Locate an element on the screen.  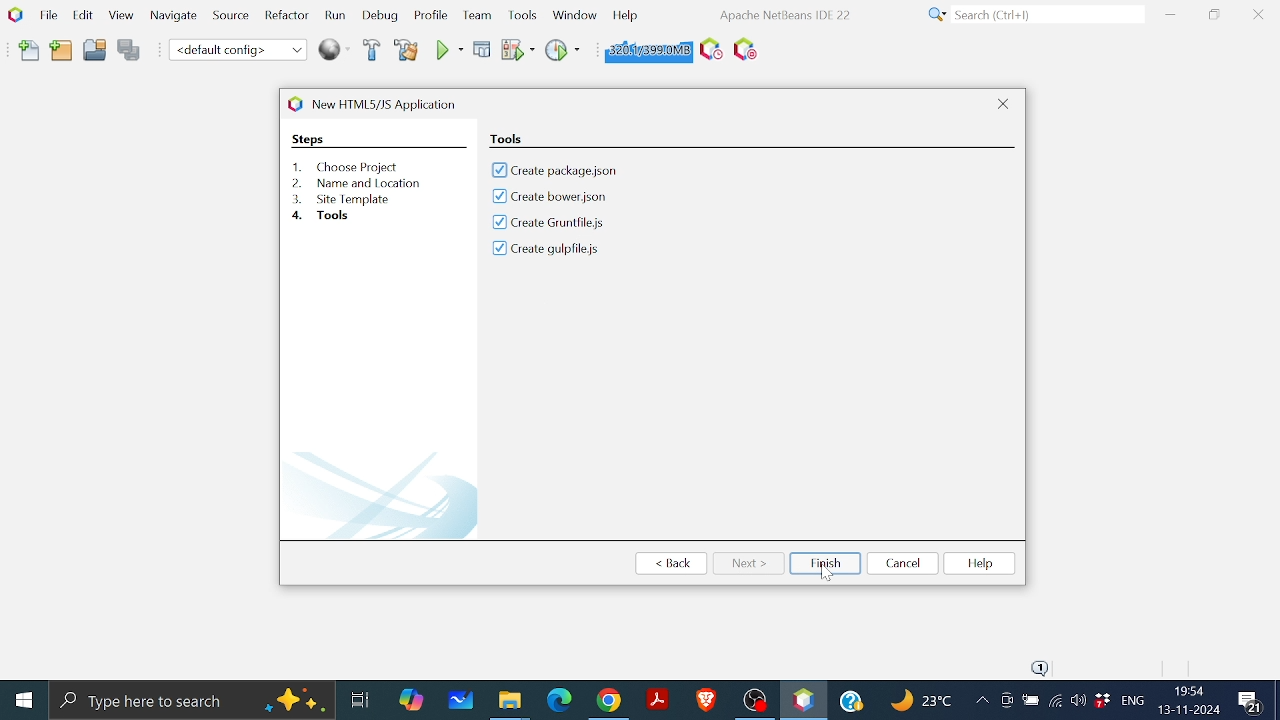
Create funtpile.js is located at coordinates (550, 224).